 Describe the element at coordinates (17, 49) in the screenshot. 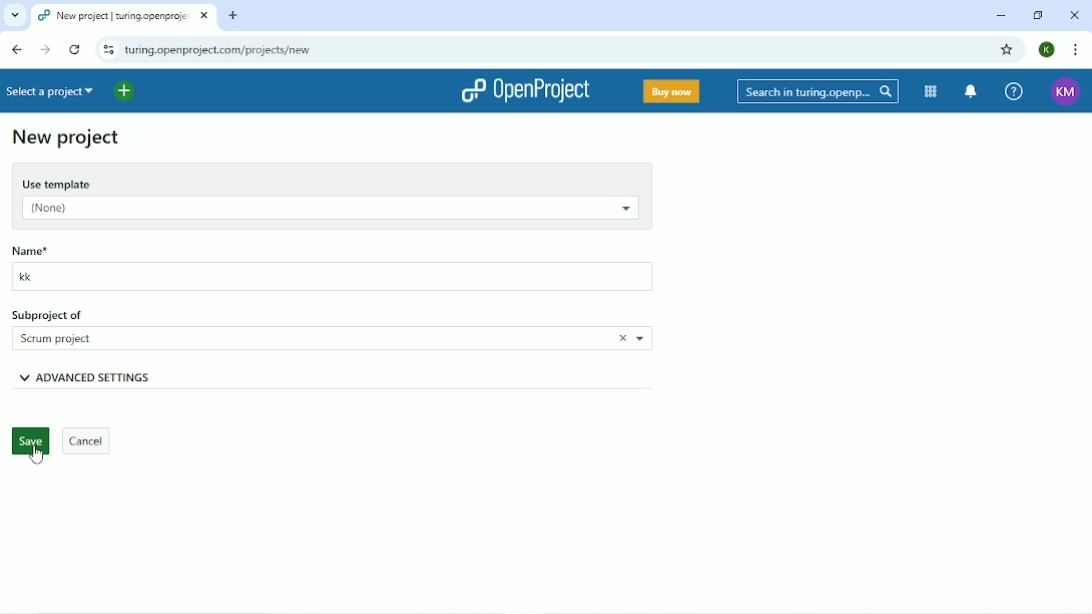

I see `Back` at that location.